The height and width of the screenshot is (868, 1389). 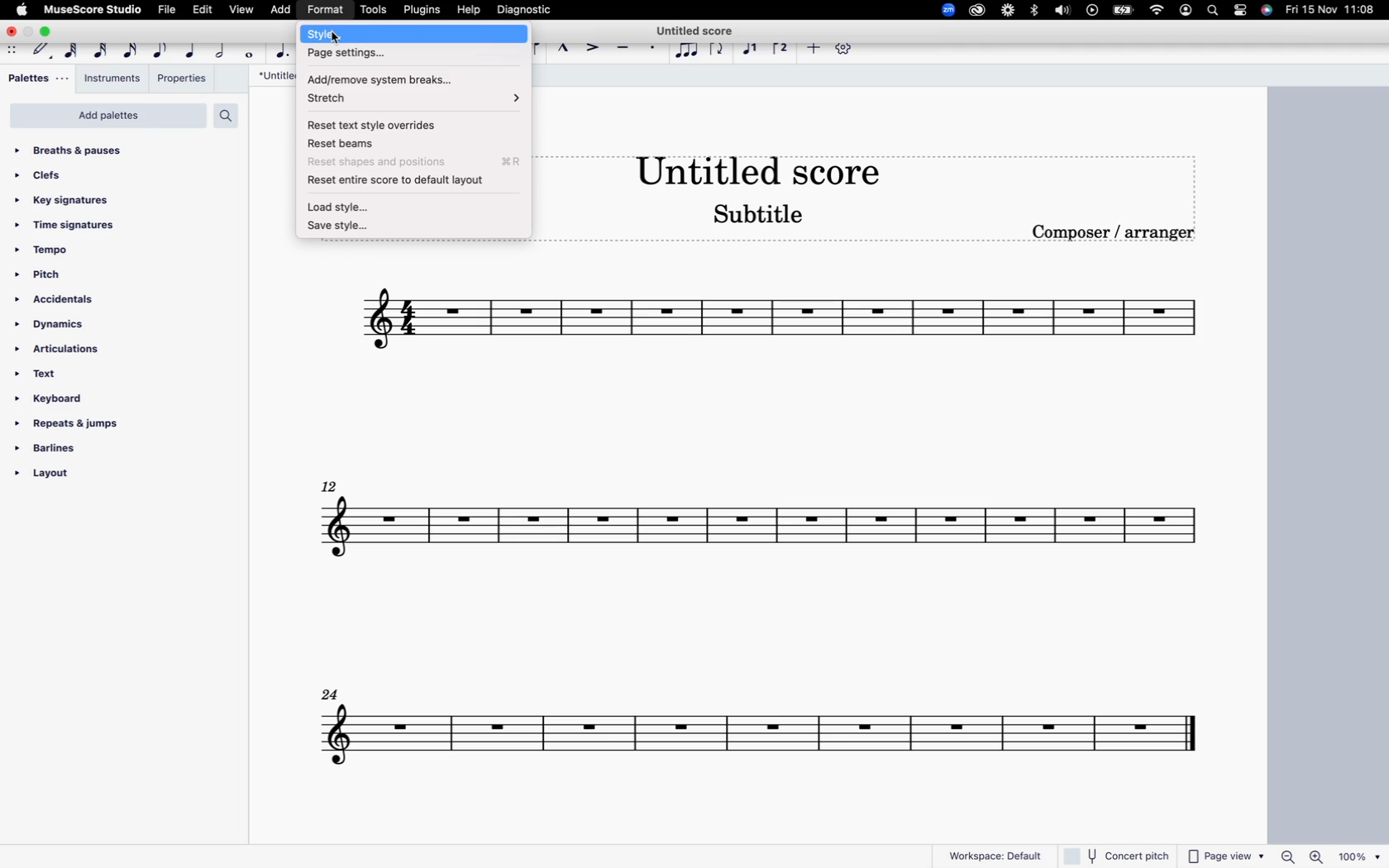 I want to click on more, so click(x=814, y=51).